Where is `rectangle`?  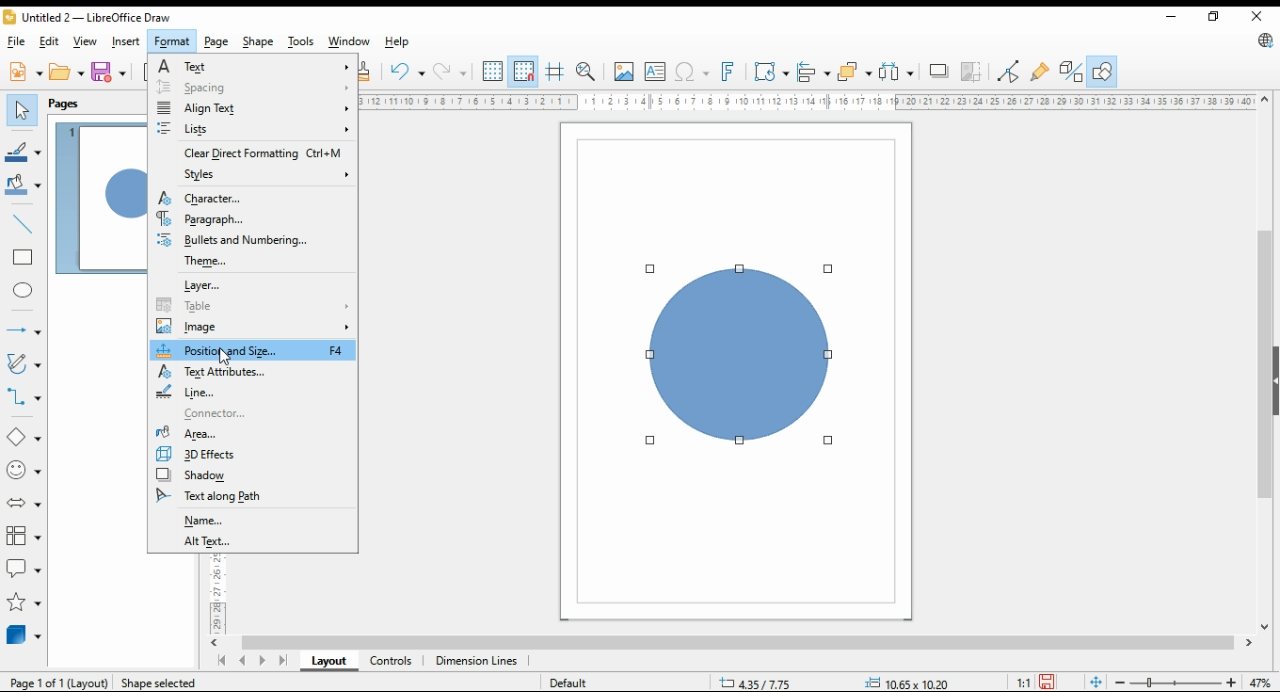 rectangle is located at coordinates (23, 258).